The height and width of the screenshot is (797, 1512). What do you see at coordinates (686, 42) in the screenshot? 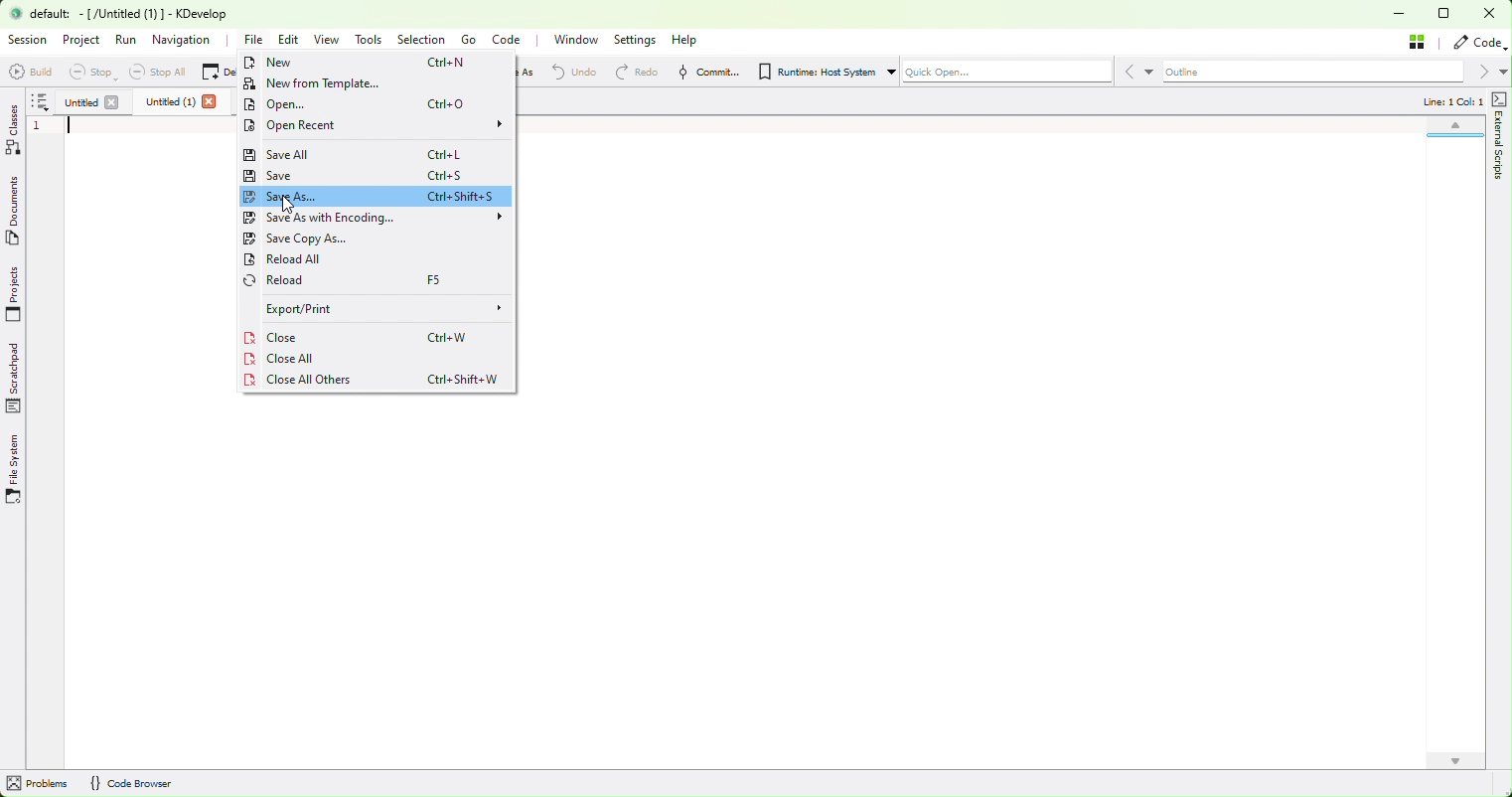
I see `Help` at bounding box center [686, 42].